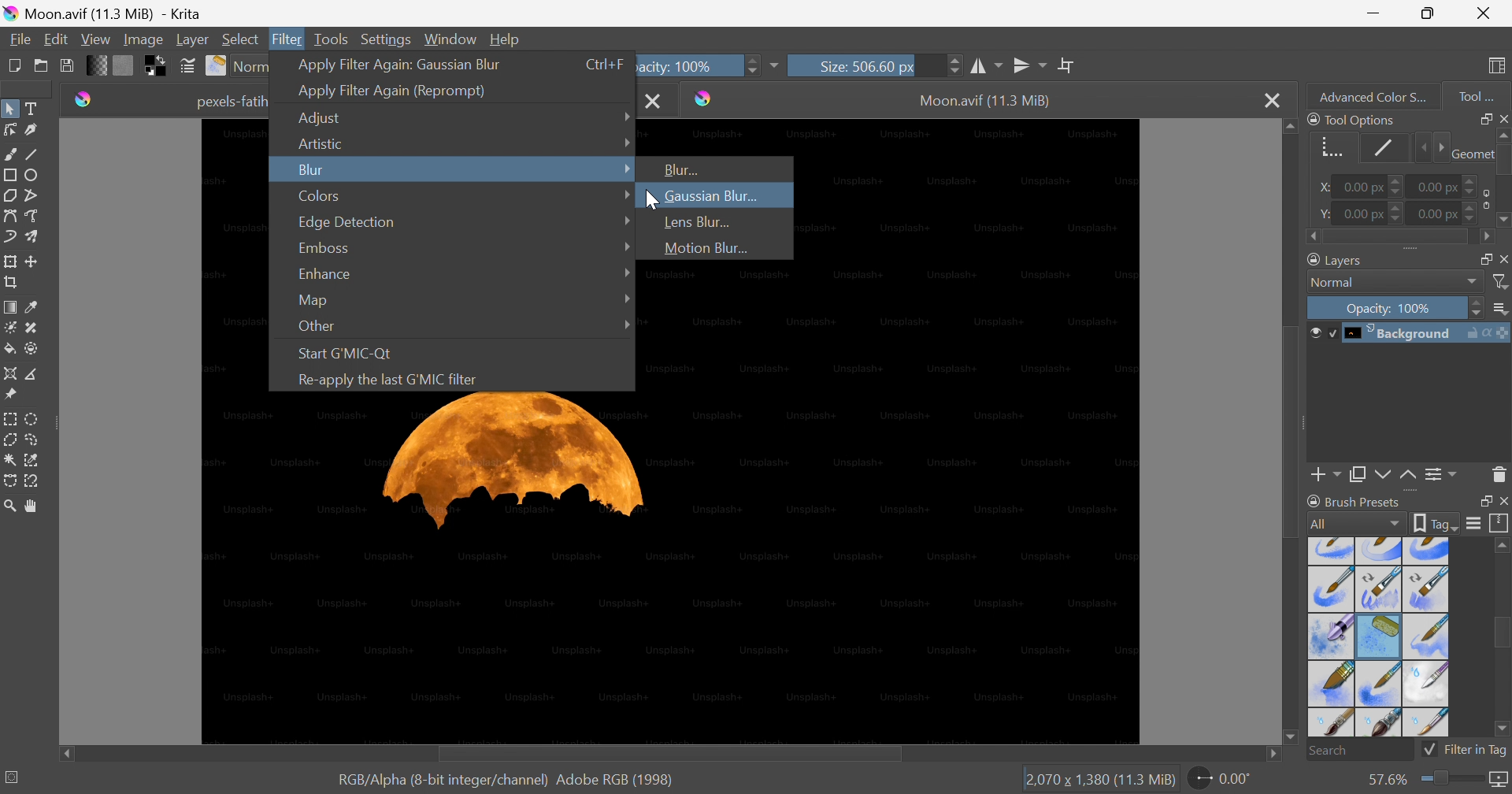 This screenshot has width=1512, height=794. Describe the element at coordinates (32, 216) in the screenshot. I see `Freehand path tool` at that location.